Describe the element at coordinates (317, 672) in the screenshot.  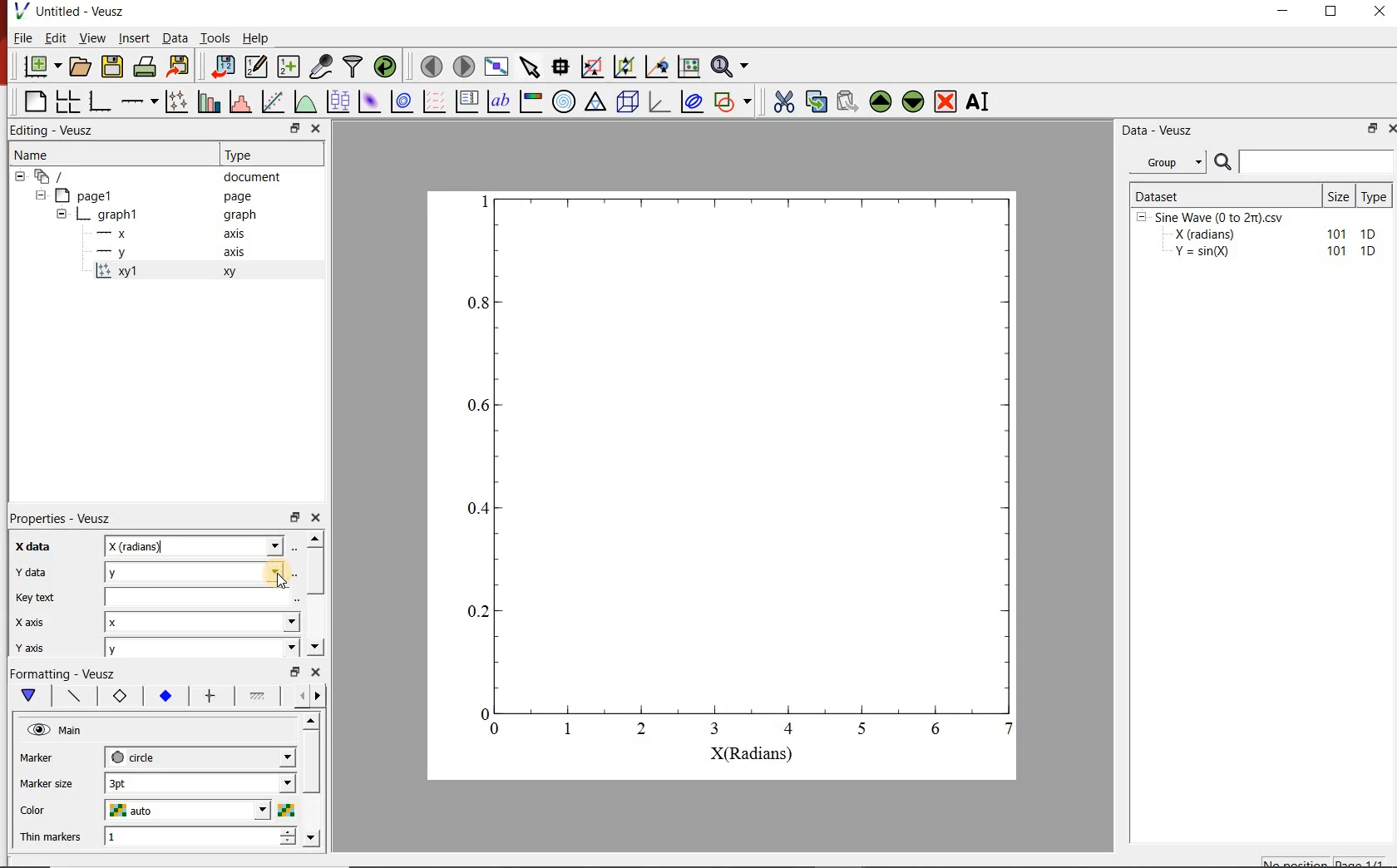
I see `Close` at that location.